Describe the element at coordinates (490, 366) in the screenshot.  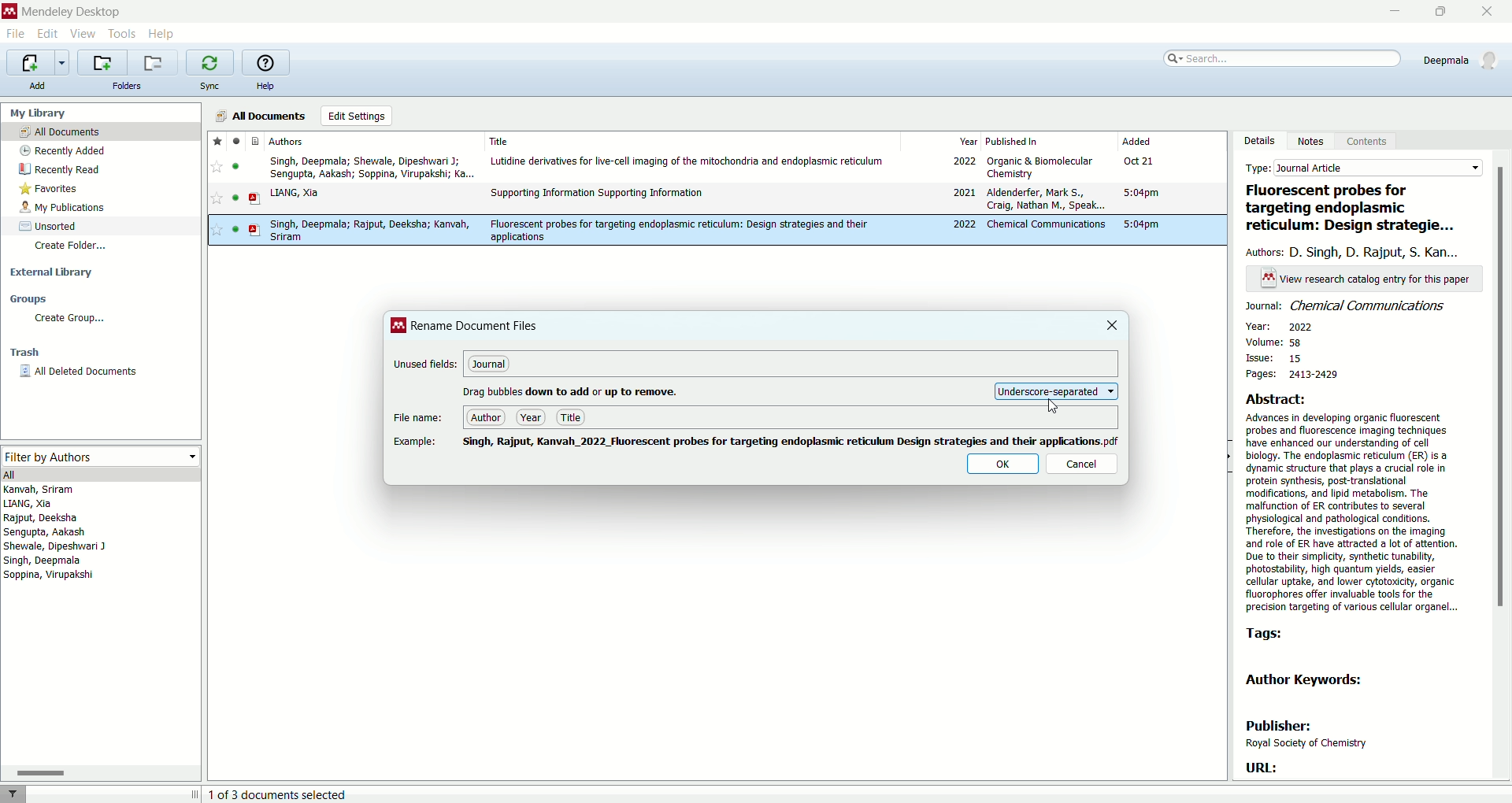
I see `journal` at that location.